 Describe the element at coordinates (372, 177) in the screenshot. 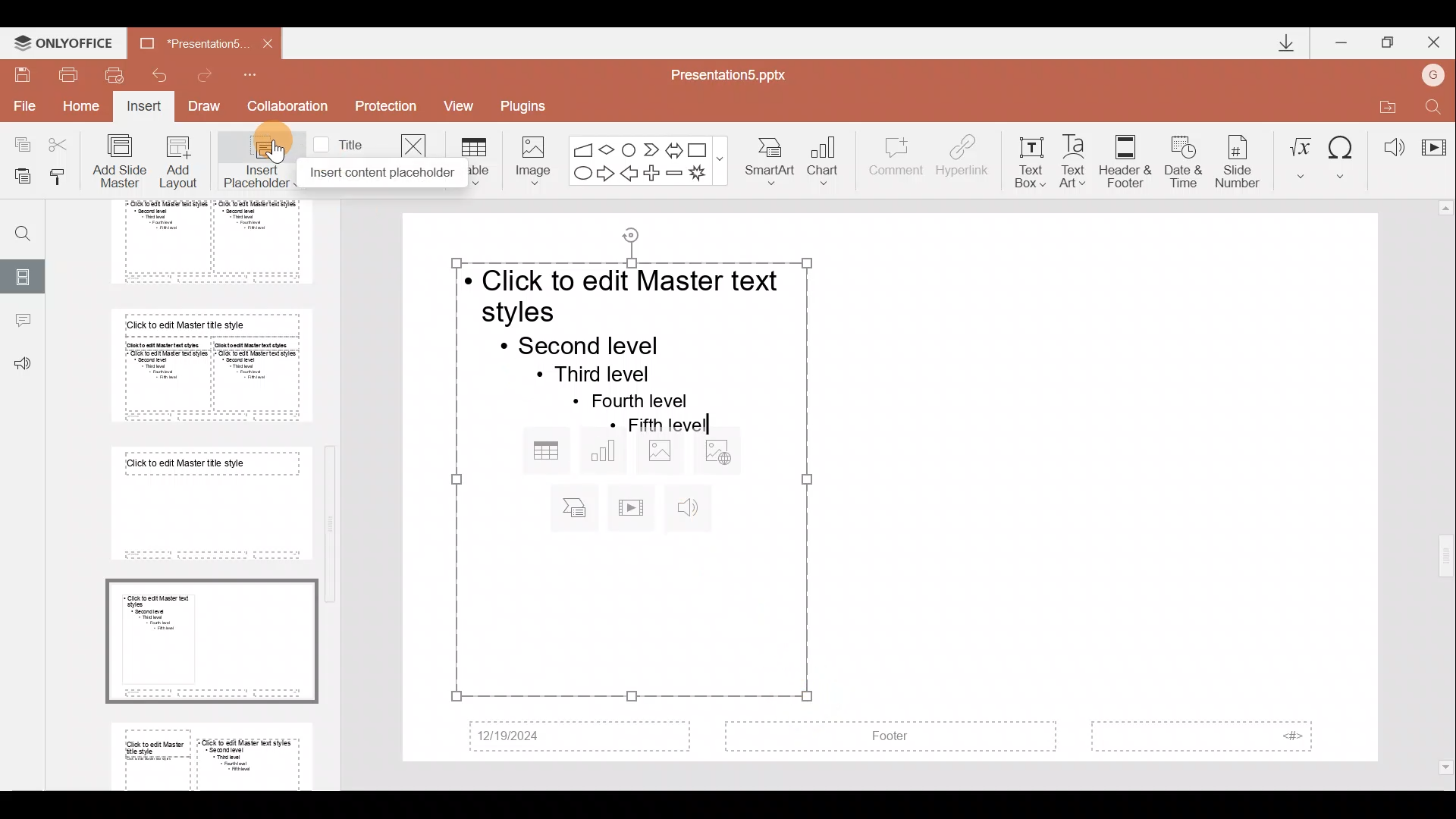

I see `Insert content placeholder` at that location.